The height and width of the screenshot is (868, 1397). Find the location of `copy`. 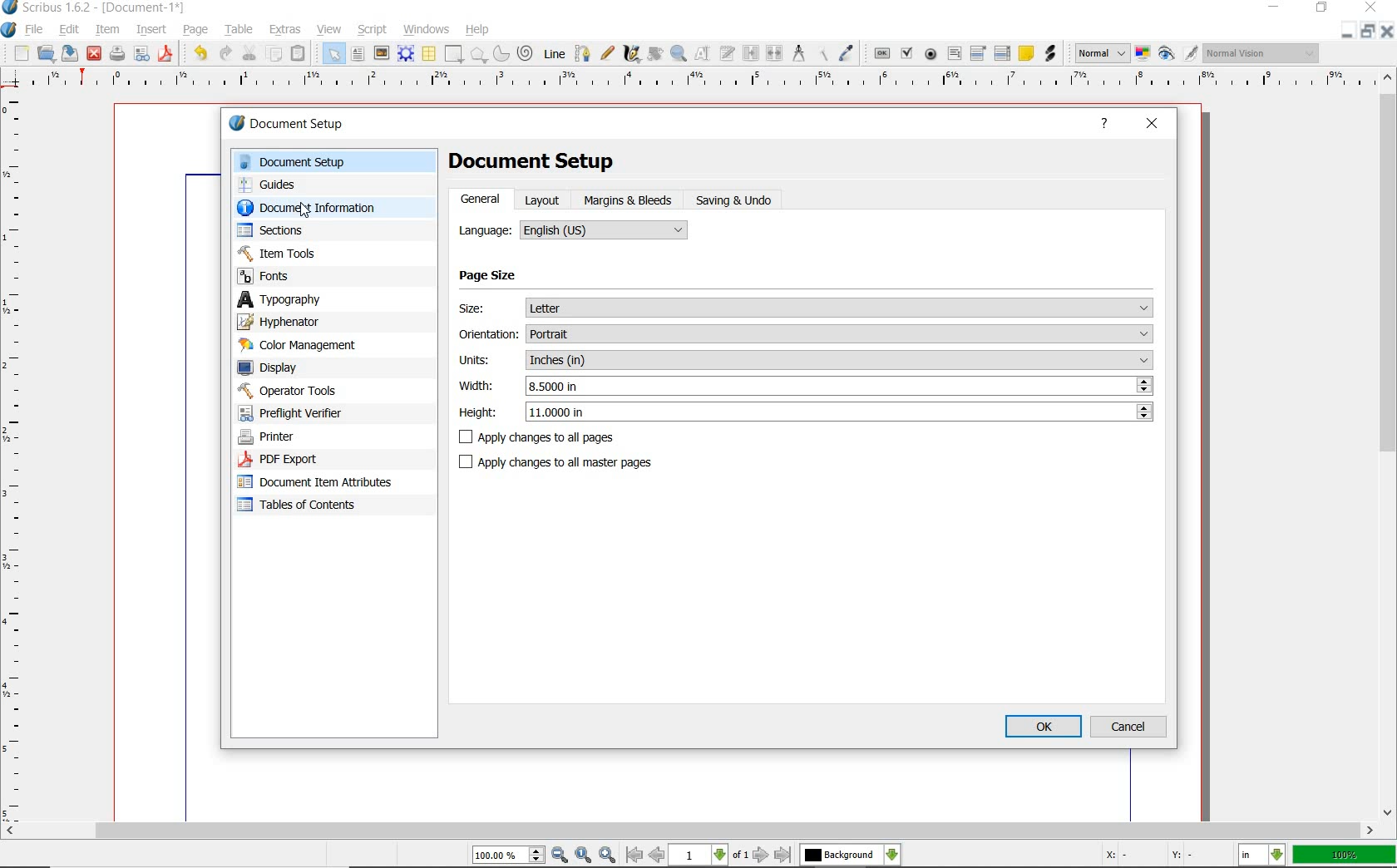

copy is located at coordinates (274, 53).